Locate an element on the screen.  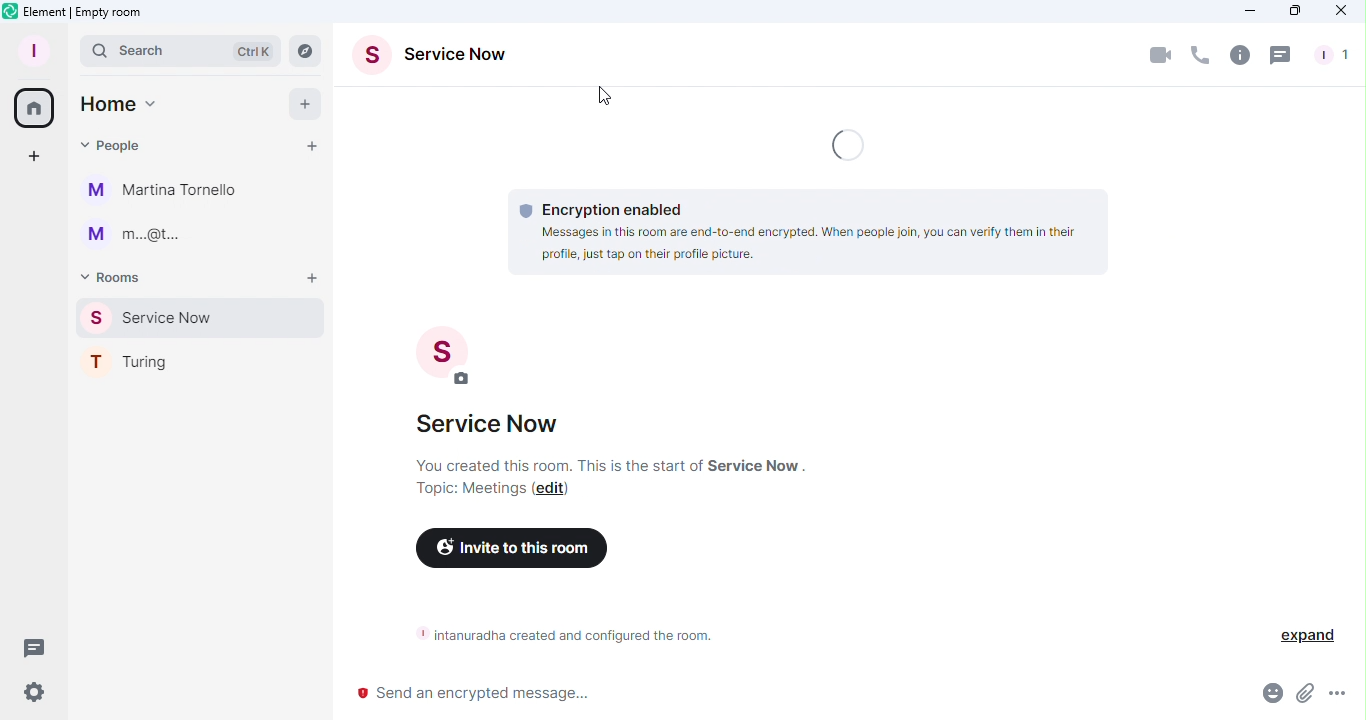
Threads is located at coordinates (30, 645).